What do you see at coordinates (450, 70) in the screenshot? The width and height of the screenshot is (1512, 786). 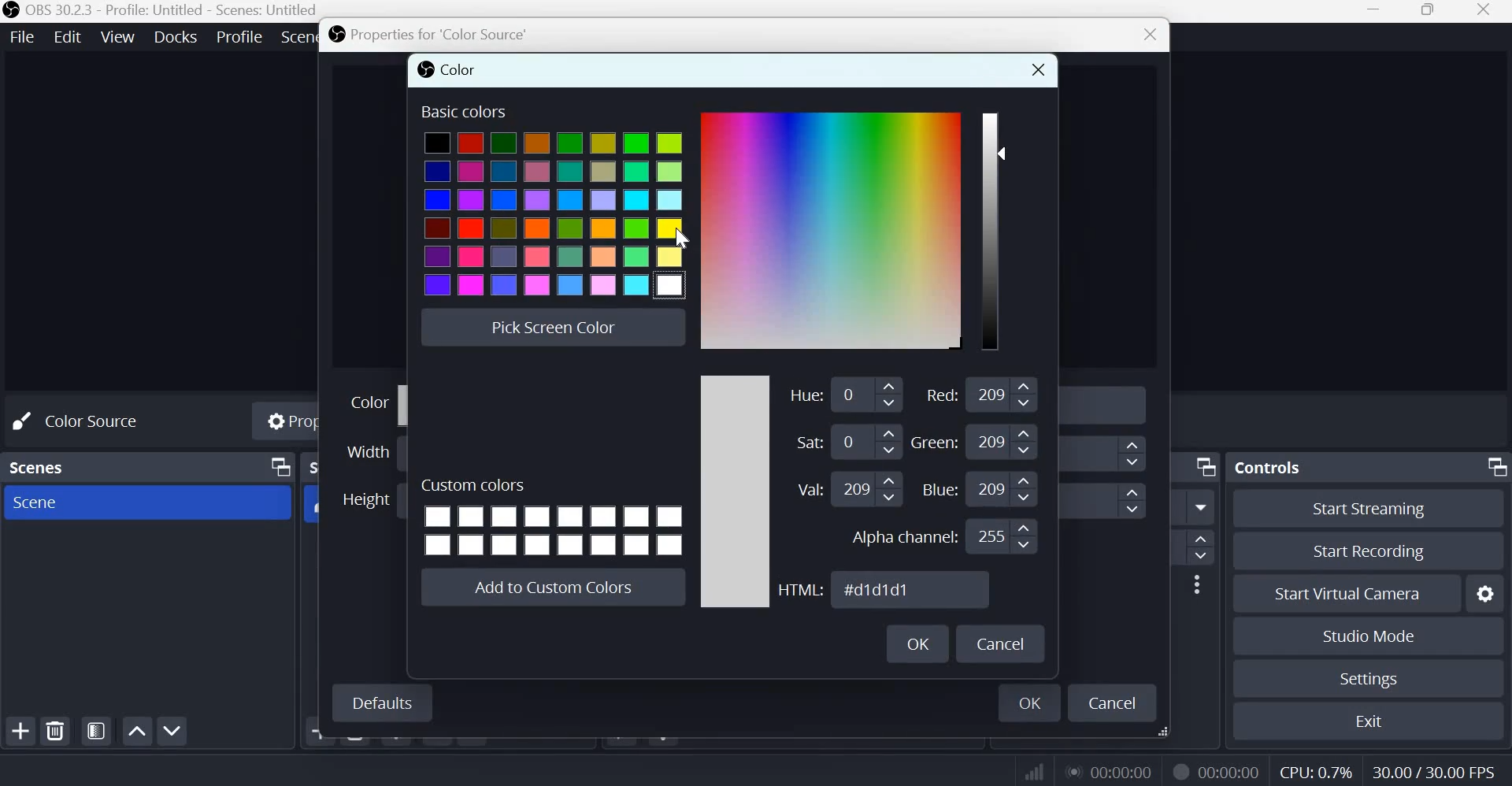 I see `color` at bounding box center [450, 70].